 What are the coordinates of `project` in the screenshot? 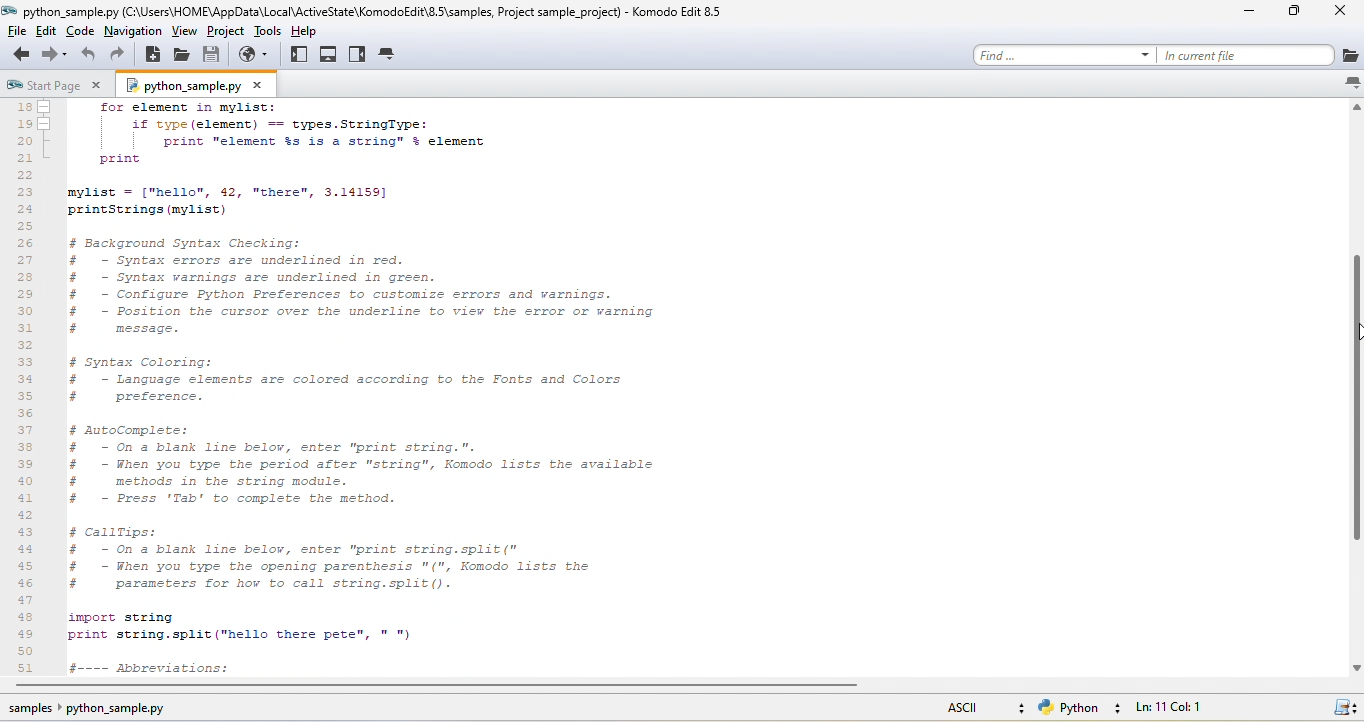 It's located at (226, 31).